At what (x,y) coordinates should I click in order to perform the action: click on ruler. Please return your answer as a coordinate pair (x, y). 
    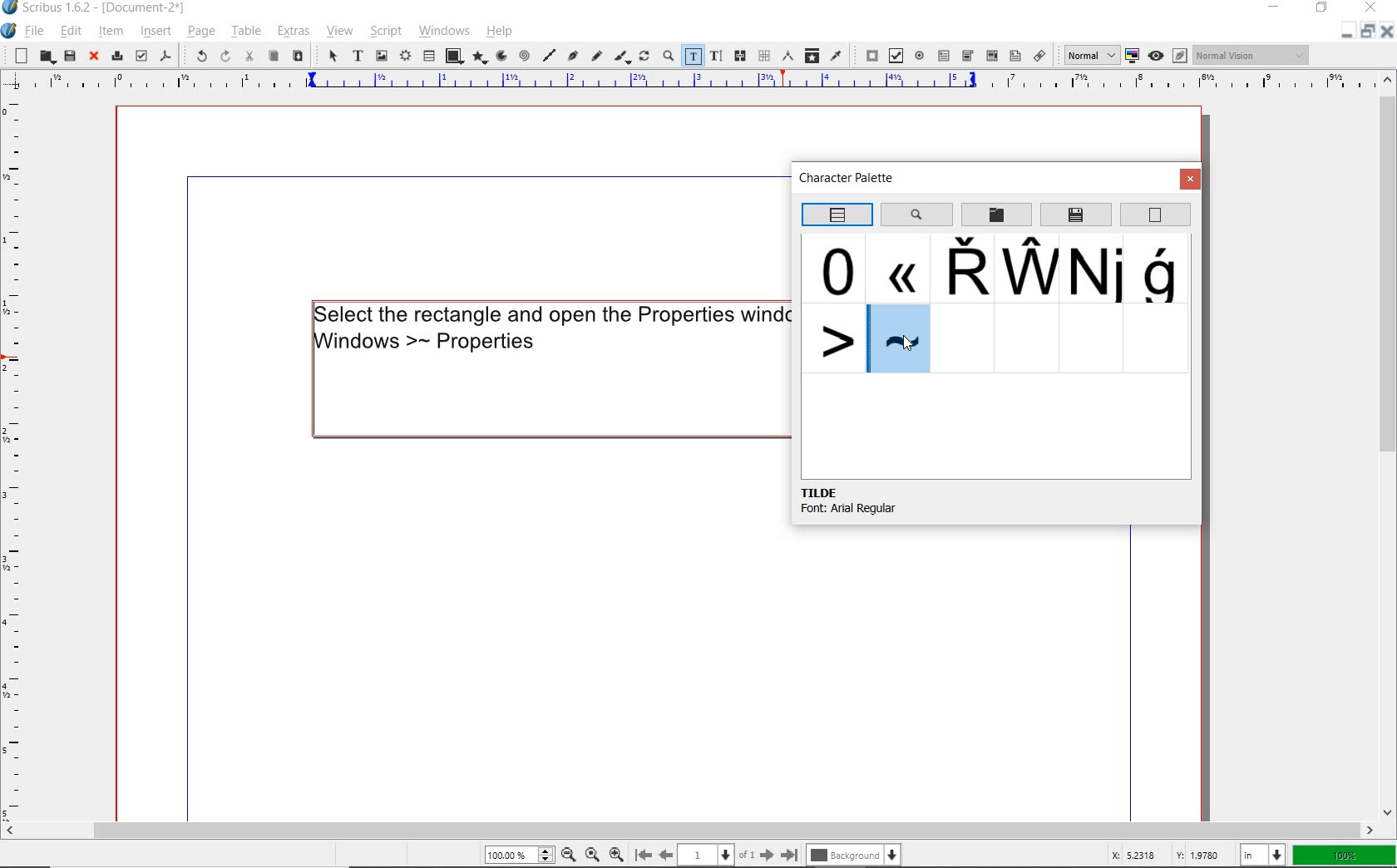
    Looking at the image, I should click on (14, 460).